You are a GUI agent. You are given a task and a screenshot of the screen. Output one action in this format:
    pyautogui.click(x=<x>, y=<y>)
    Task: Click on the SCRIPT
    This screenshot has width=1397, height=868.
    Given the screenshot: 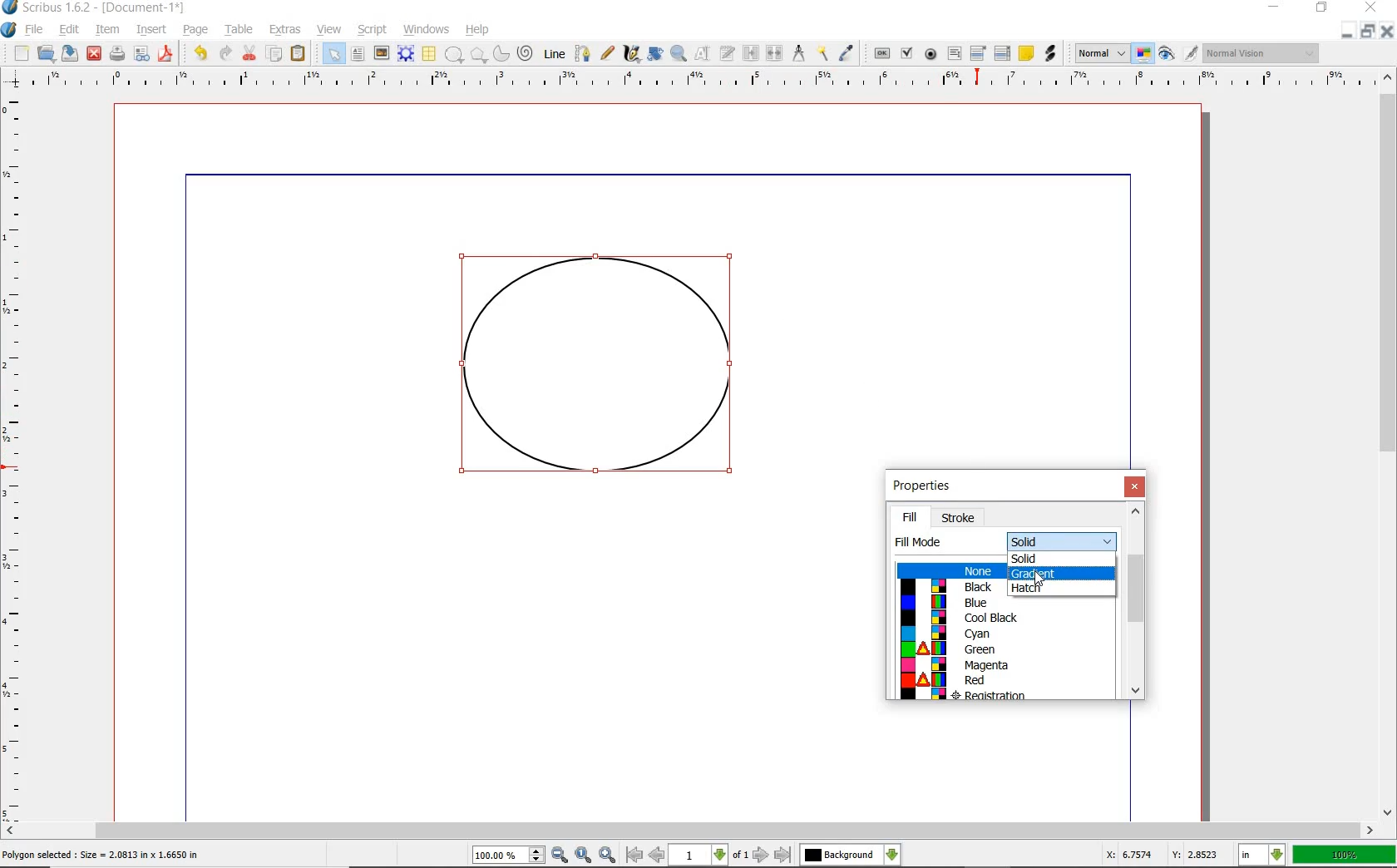 What is the action you would take?
    pyautogui.click(x=370, y=28)
    